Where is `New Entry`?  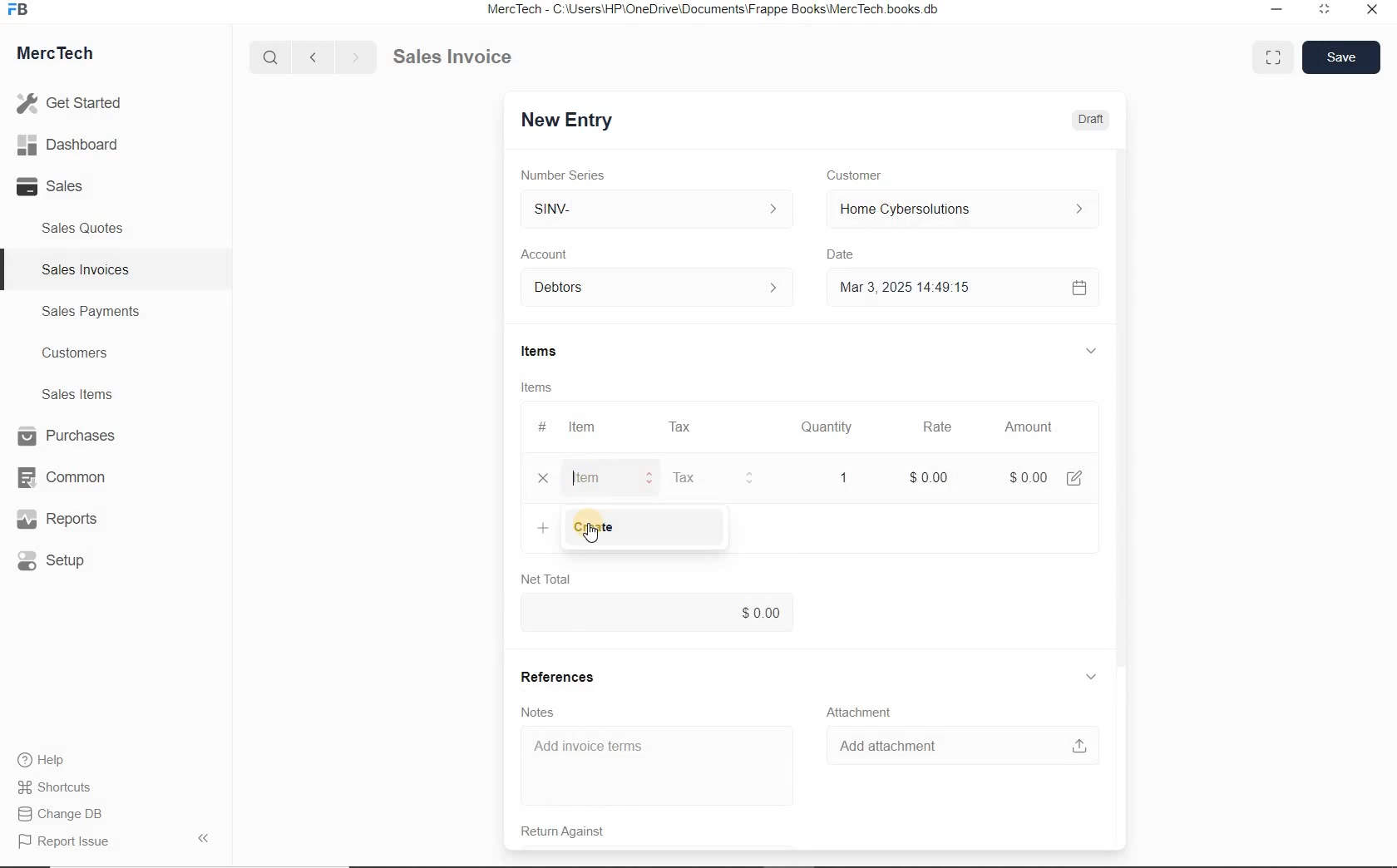 New Entry is located at coordinates (565, 121).